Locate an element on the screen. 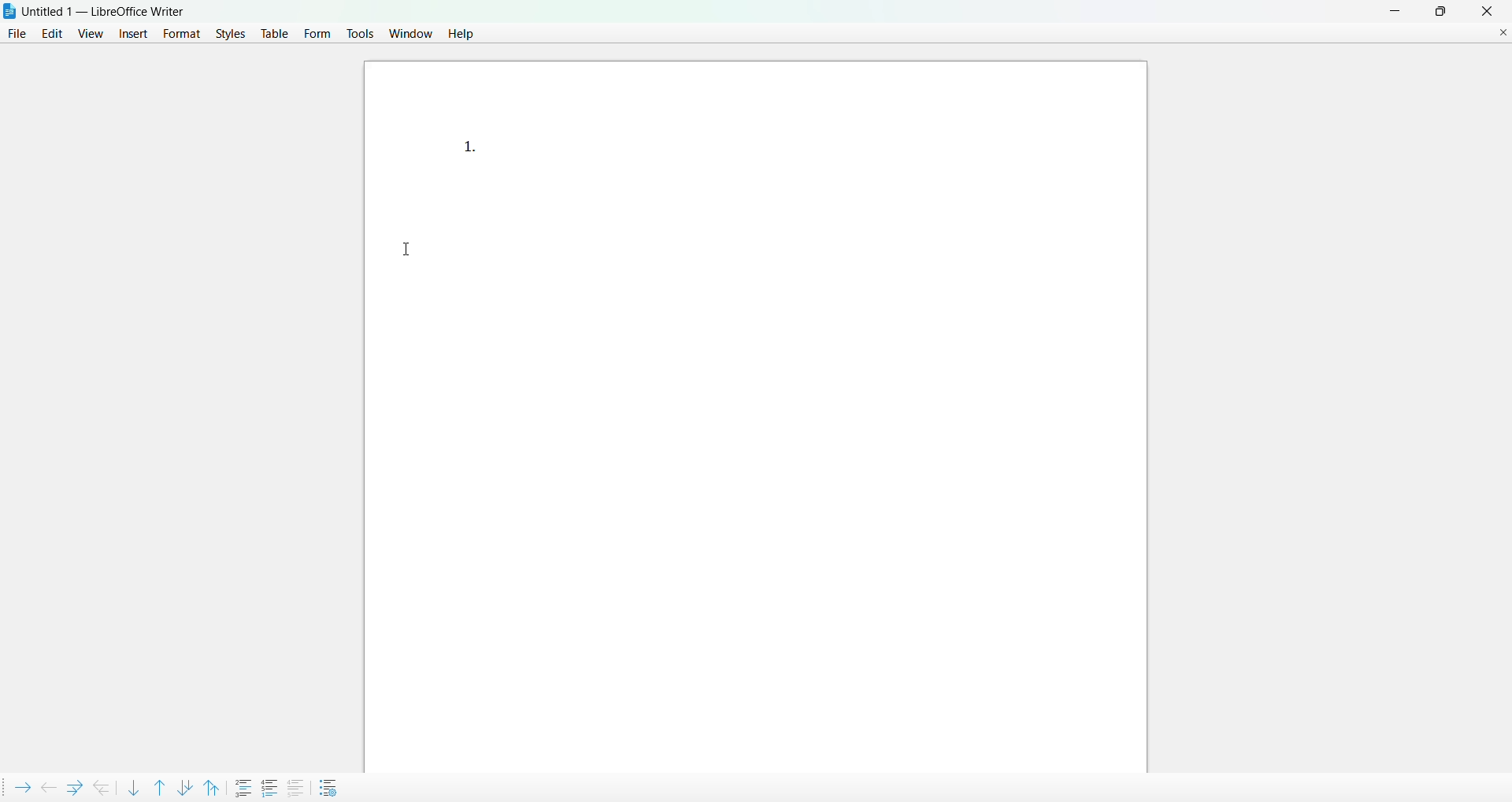  cursor is located at coordinates (419, 247).